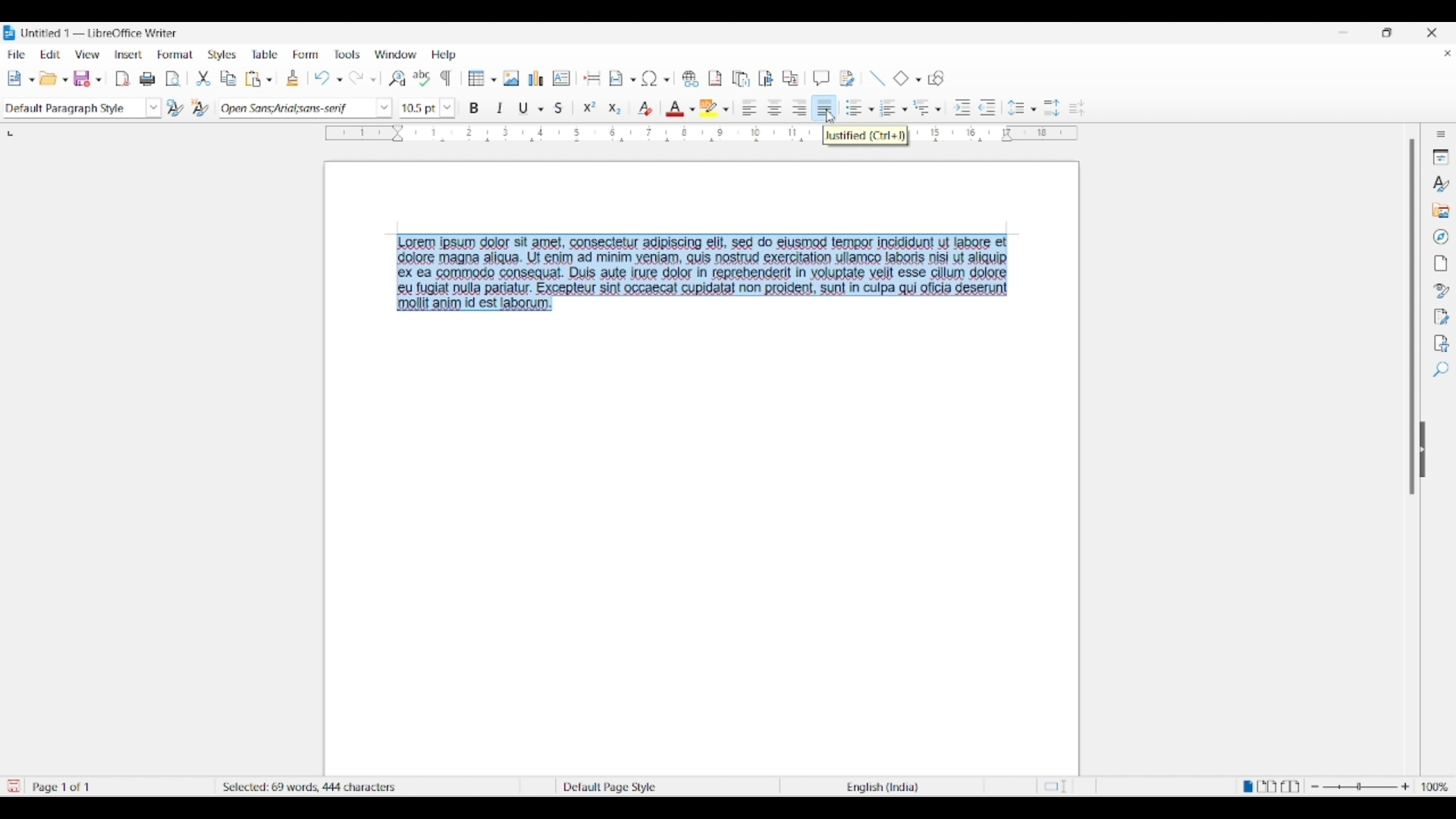 The width and height of the screenshot is (1456, 819). What do you see at coordinates (1360, 786) in the screenshot?
I see `Slider to Zoom in/out` at bounding box center [1360, 786].